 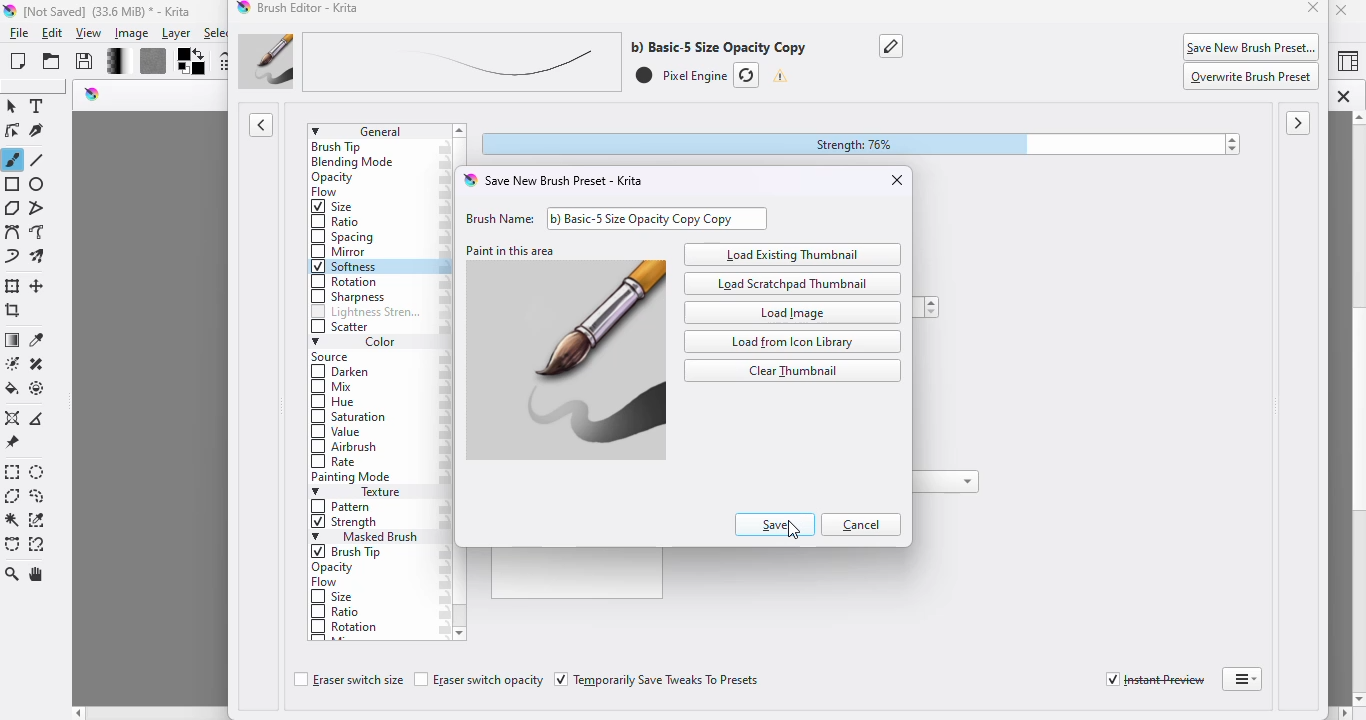 I want to click on freehand brush tool, so click(x=13, y=159).